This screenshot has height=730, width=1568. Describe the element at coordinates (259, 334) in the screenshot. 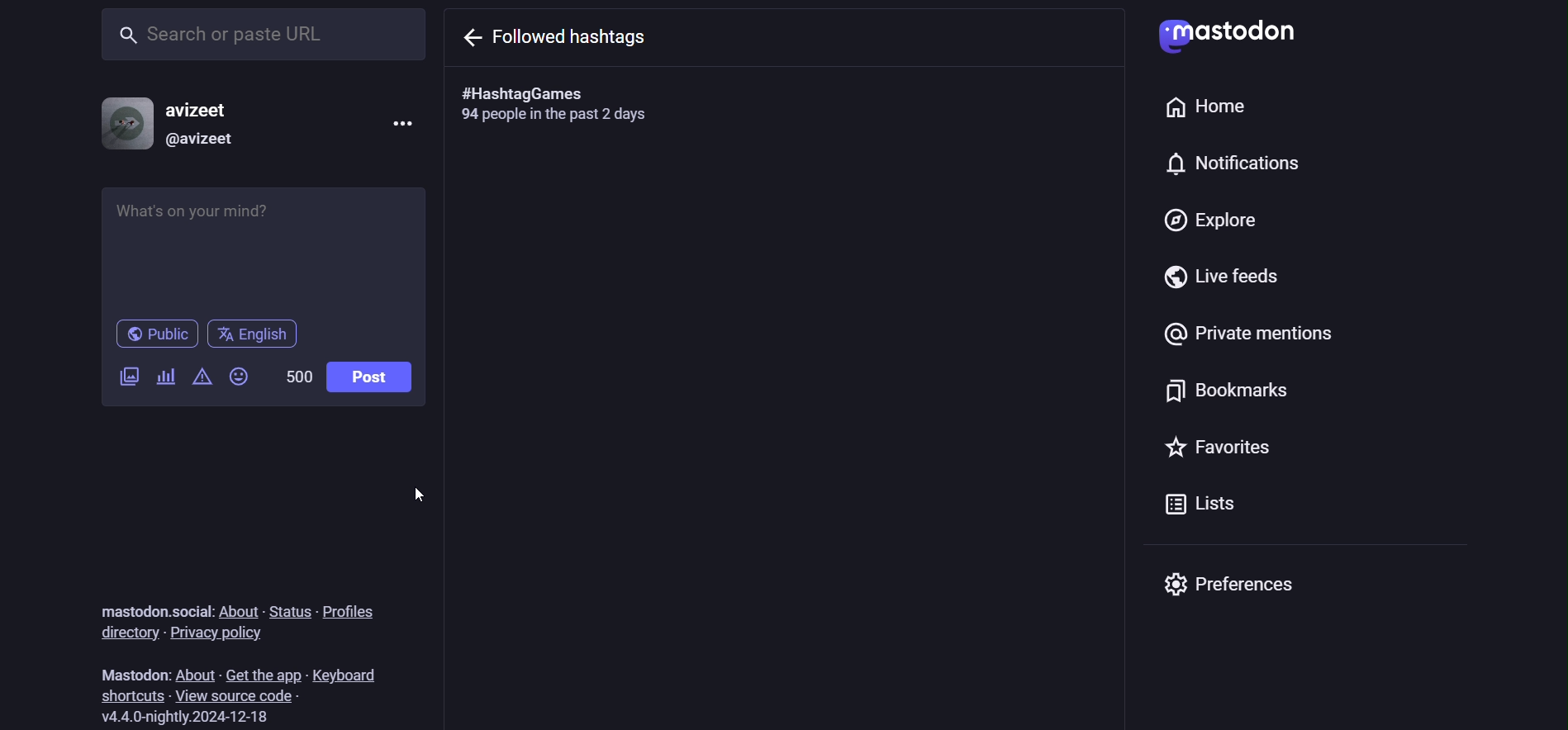

I see `English` at that location.